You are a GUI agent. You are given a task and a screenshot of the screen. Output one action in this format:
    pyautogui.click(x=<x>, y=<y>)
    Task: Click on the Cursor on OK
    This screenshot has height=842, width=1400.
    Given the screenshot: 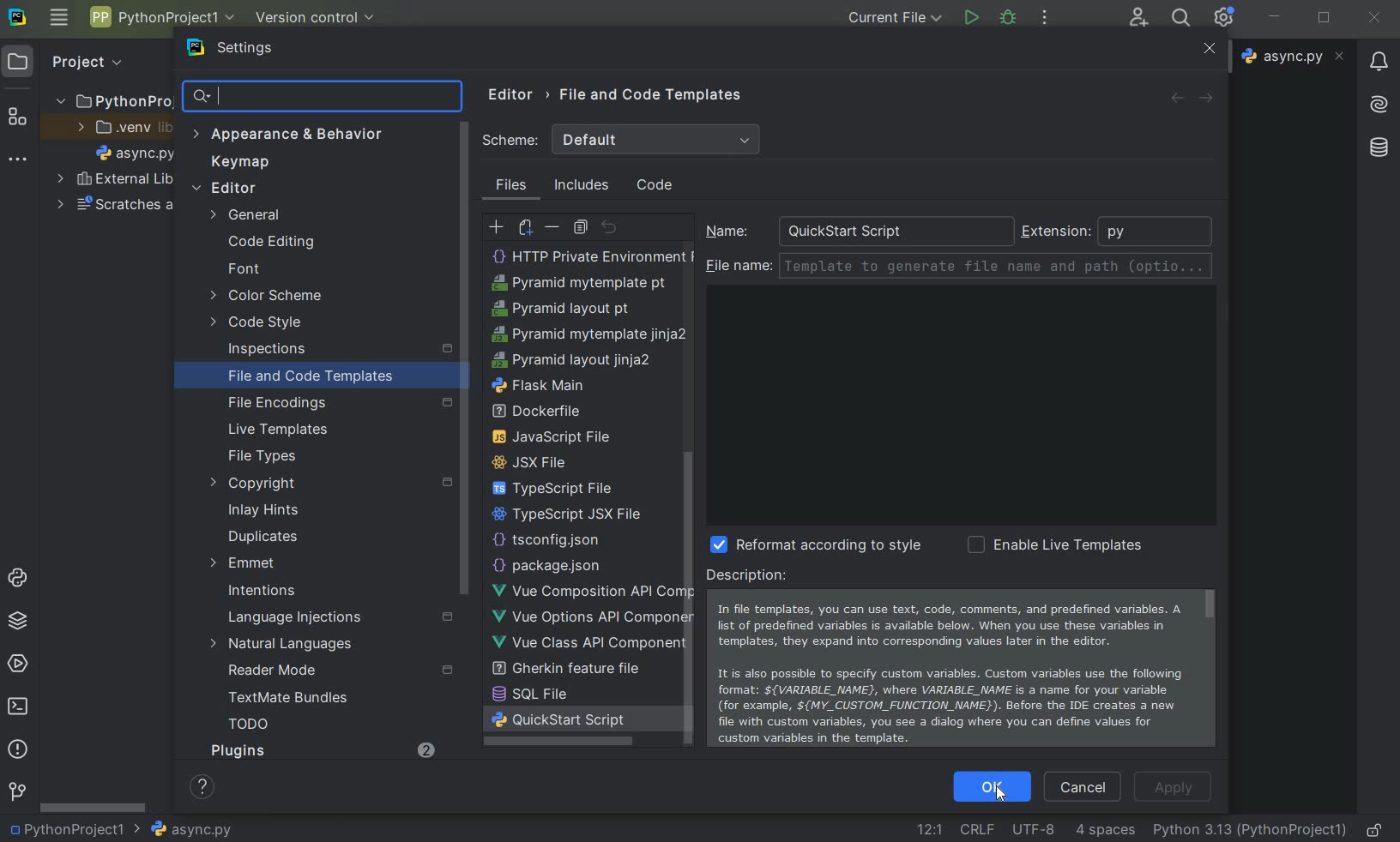 What is the action you would take?
    pyautogui.click(x=1008, y=788)
    